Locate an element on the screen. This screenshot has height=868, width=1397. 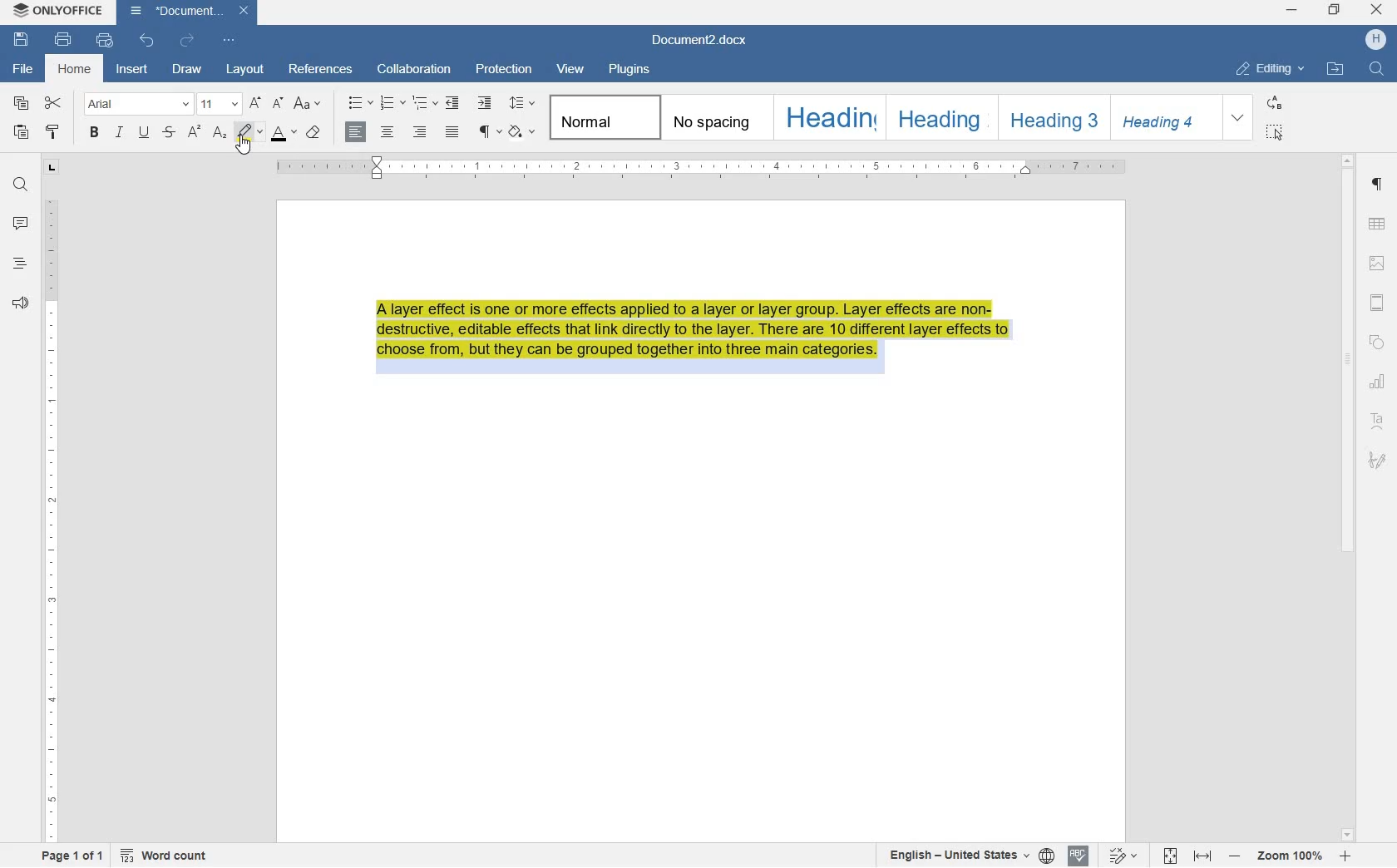
PASTE is located at coordinates (23, 133).